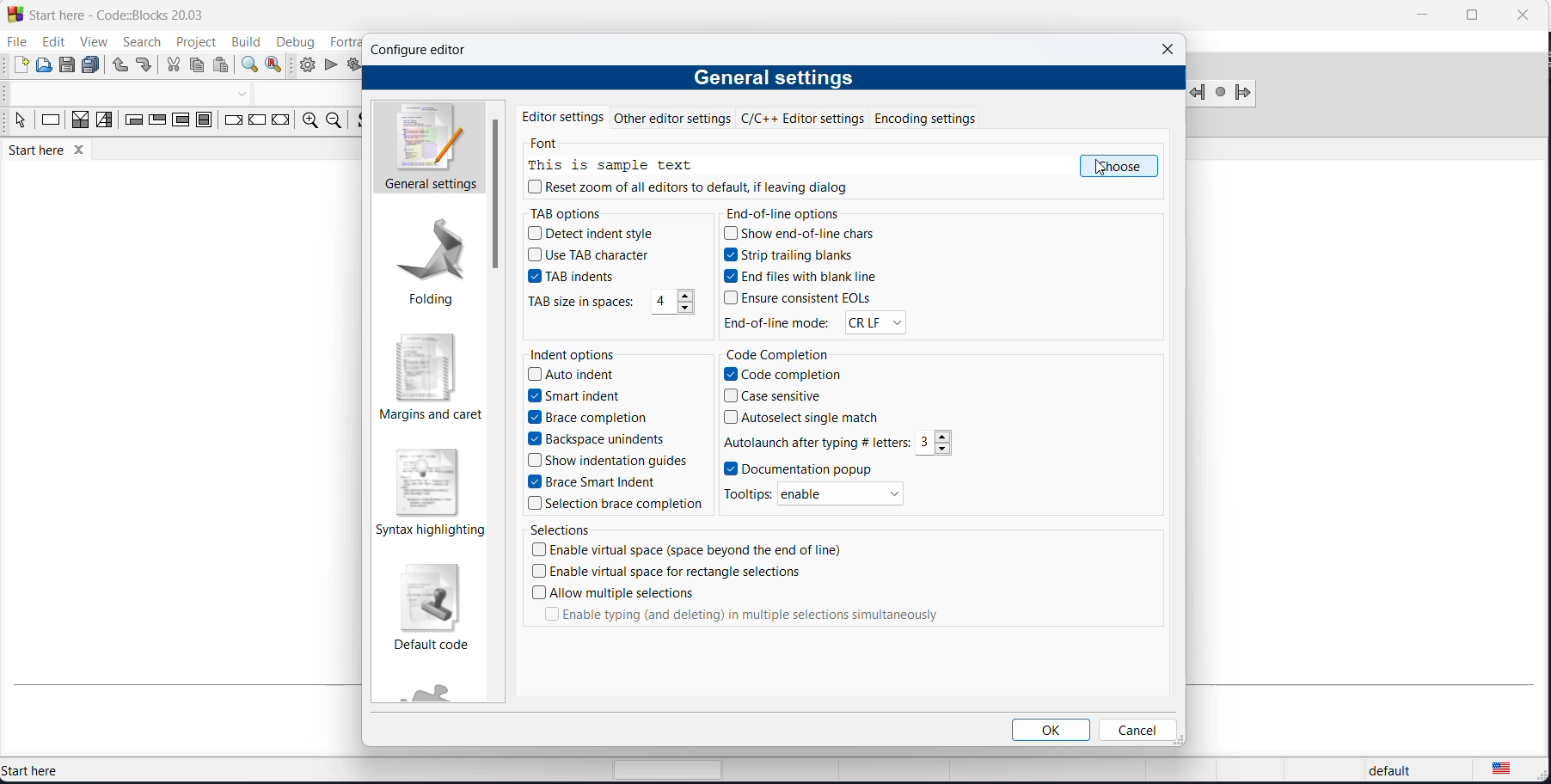 This screenshot has height=784, width=1551. What do you see at coordinates (280, 123) in the screenshot?
I see `return instruction` at bounding box center [280, 123].